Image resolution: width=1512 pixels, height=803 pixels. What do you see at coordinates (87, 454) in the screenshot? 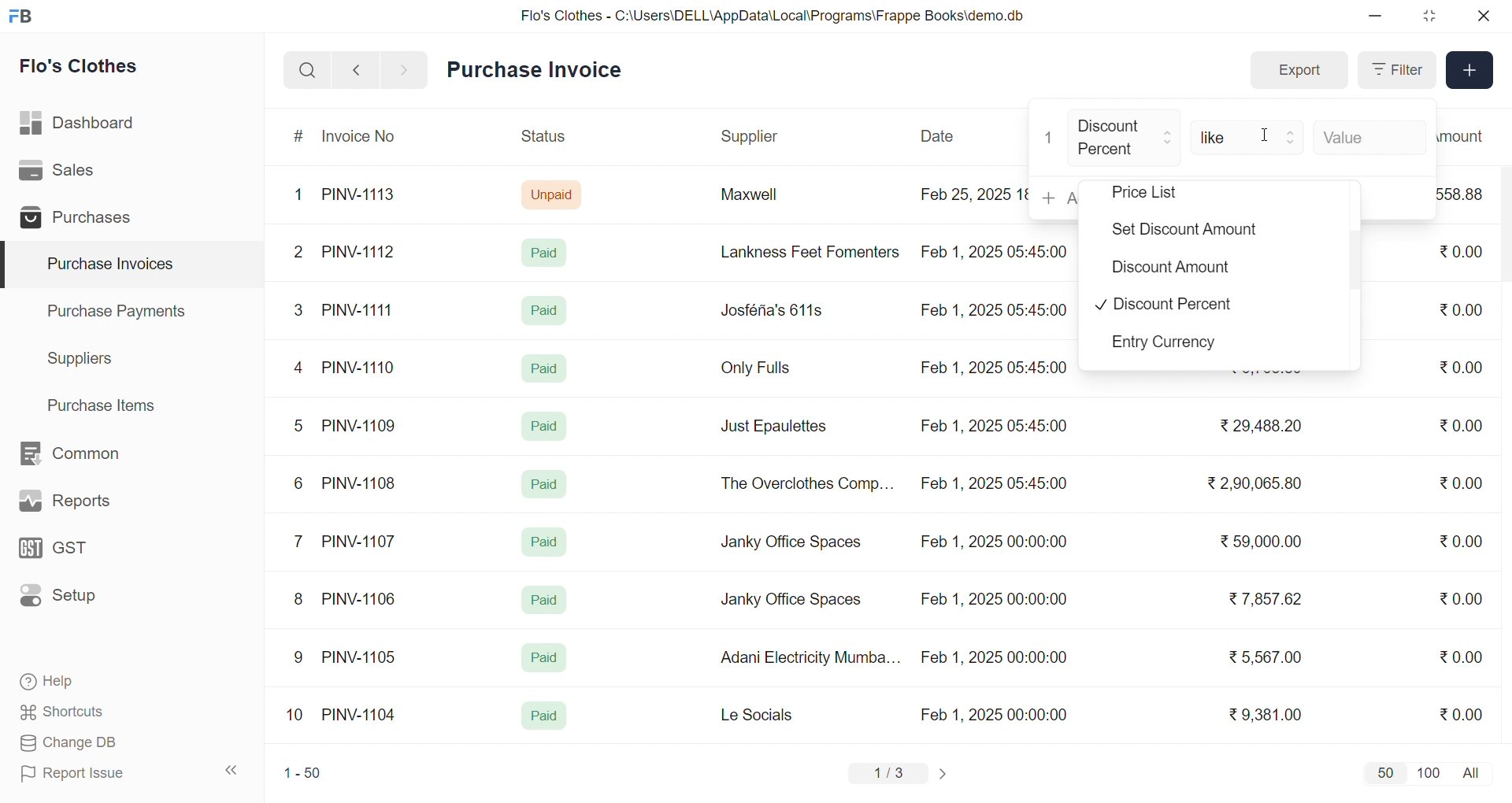
I see `Common` at bounding box center [87, 454].